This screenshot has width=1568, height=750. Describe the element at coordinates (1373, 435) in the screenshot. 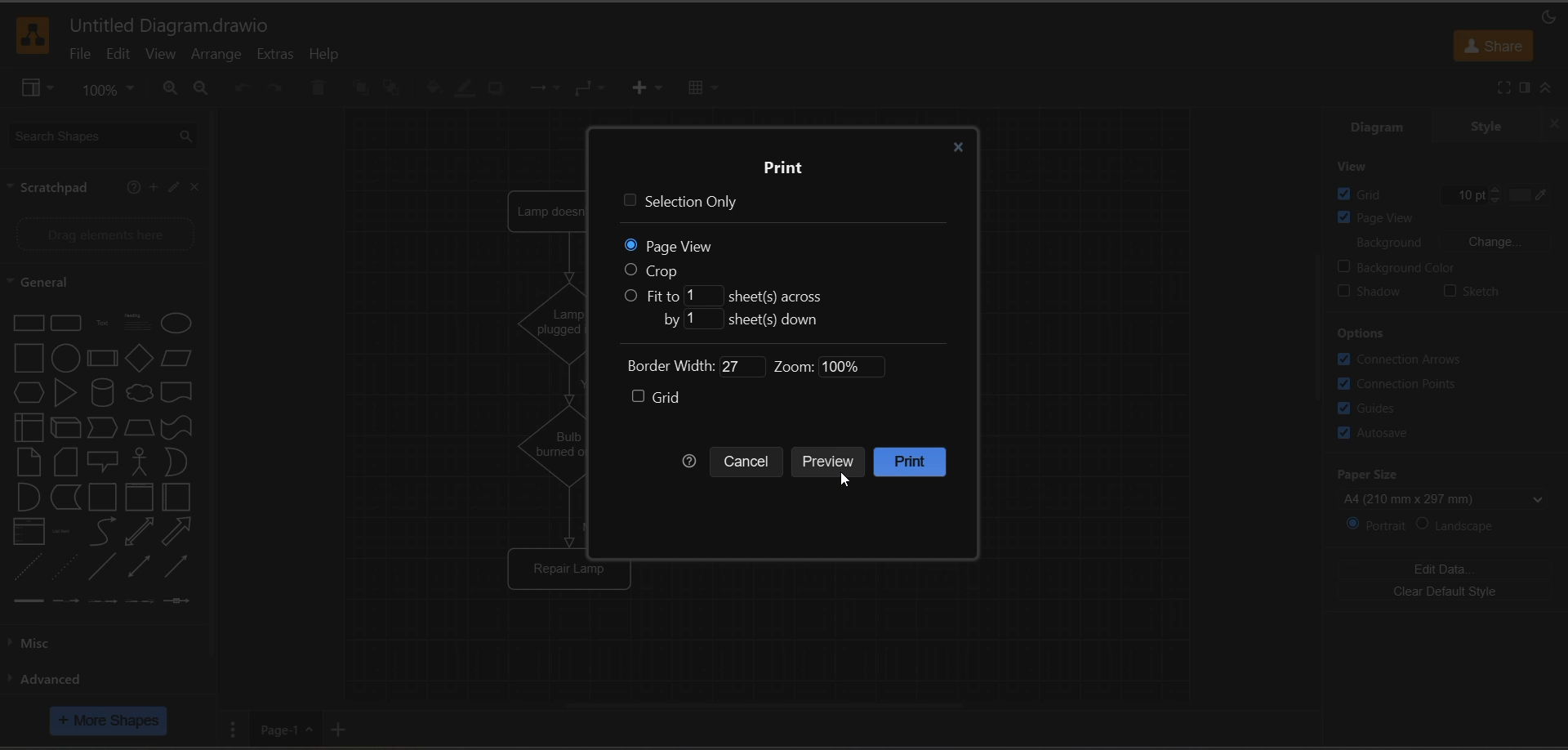

I see `autosave` at that location.